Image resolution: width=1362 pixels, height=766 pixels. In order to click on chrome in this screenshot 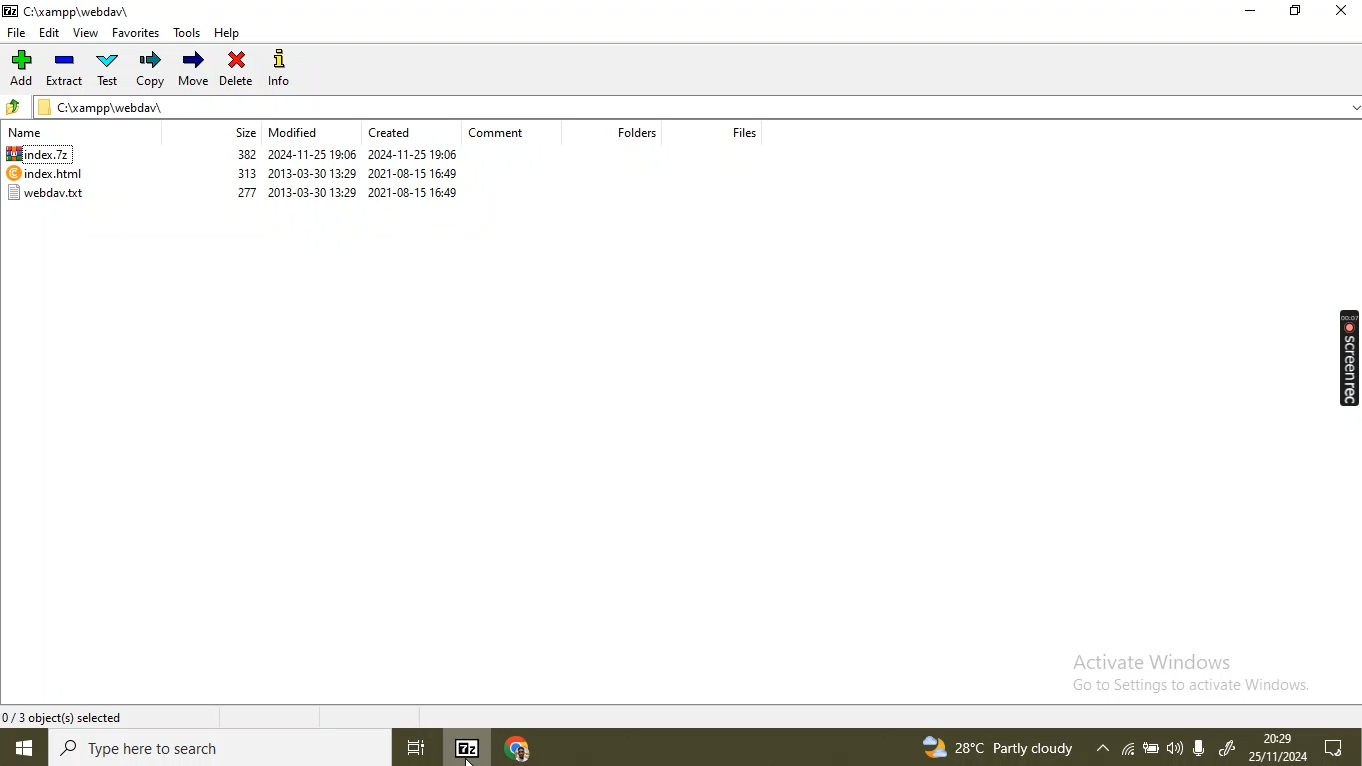, I will do `click(521, 746)`.